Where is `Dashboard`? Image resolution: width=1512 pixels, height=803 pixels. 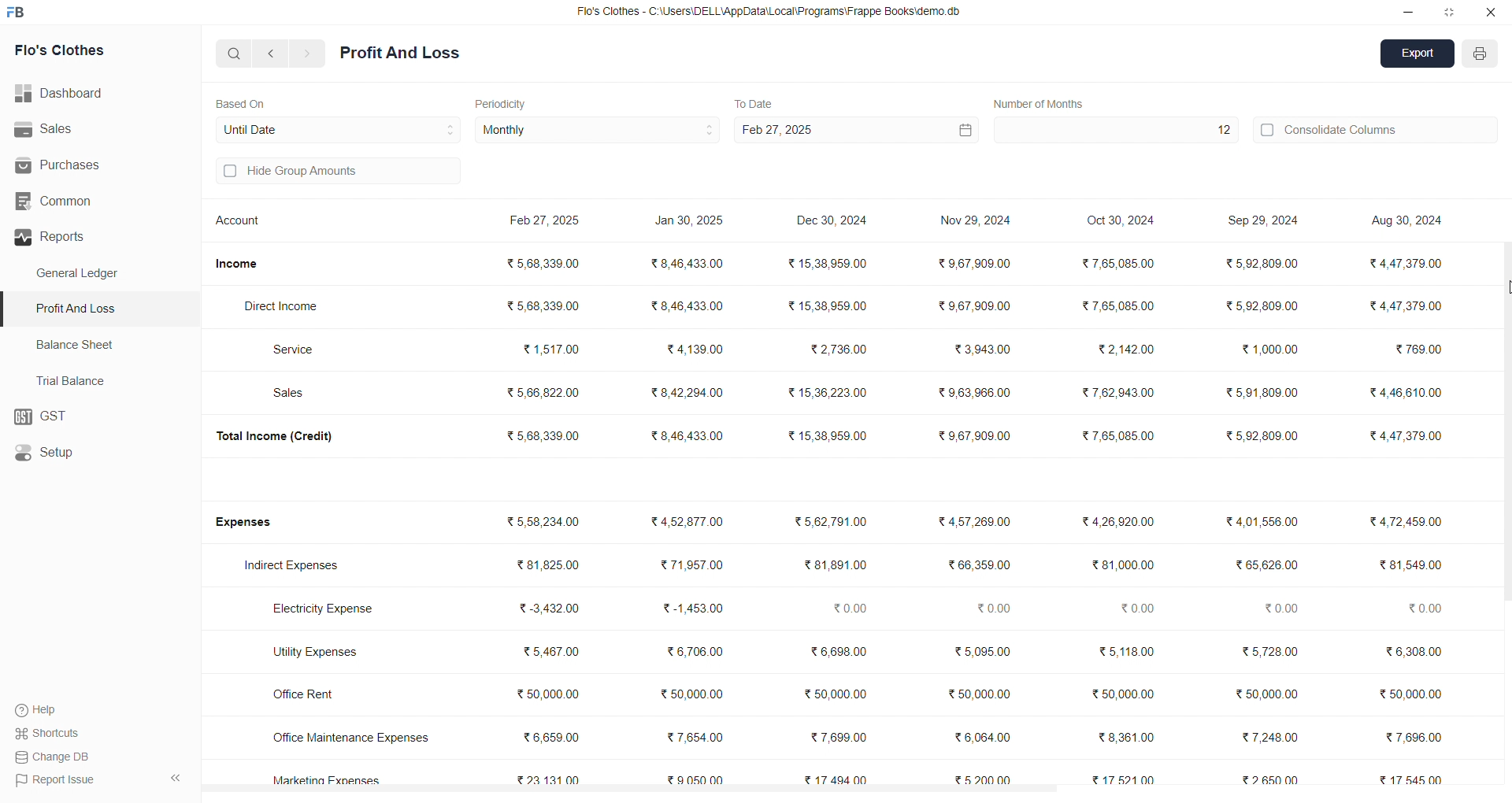
Dashboard is located at coordinates (67, 94).